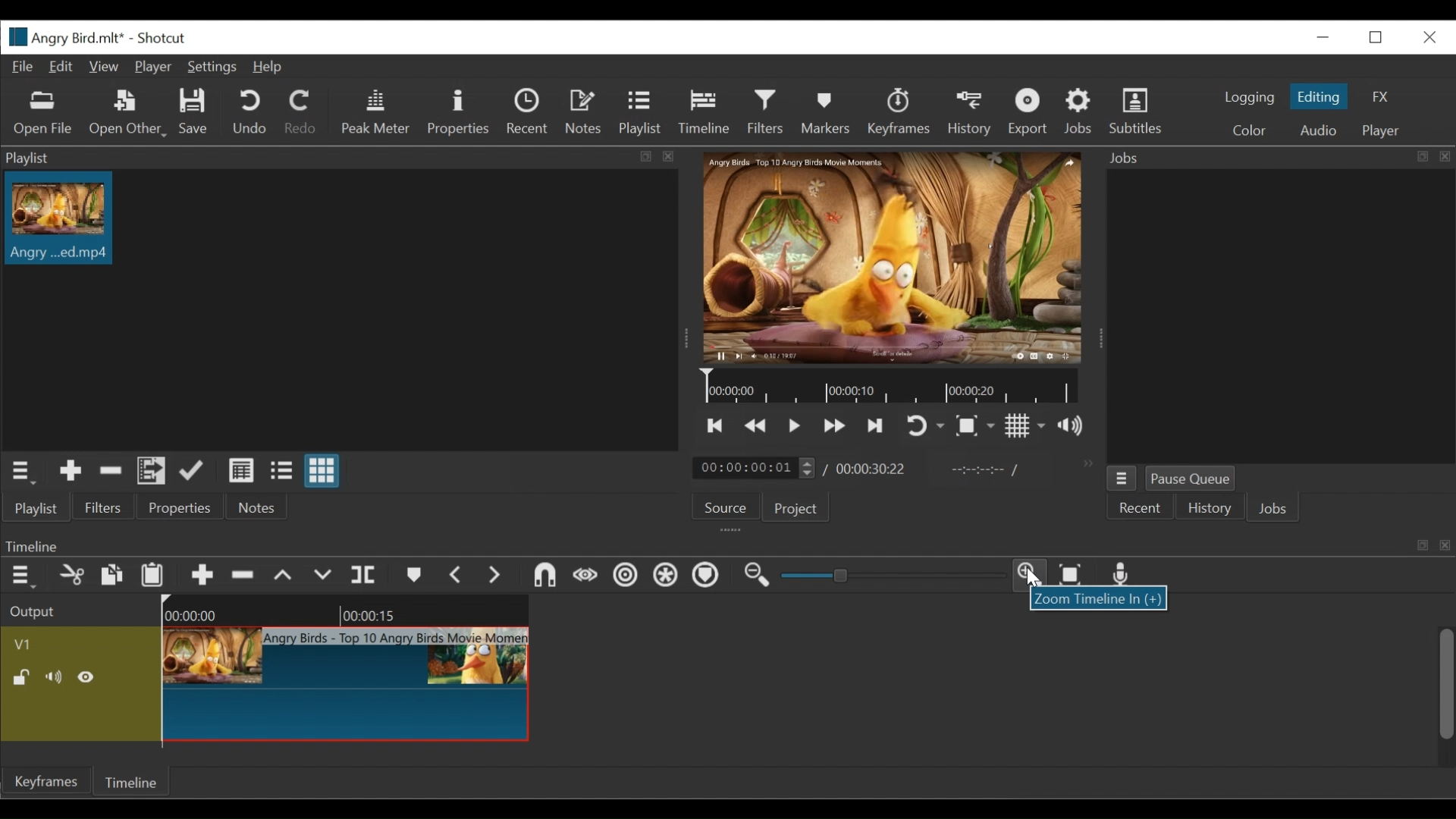 This screenshot has width=1456, height=819. What do you see at coordinates (151, 472) in the screenshot?
I see `Add files to the playlist` at bounding box center [151, 472].